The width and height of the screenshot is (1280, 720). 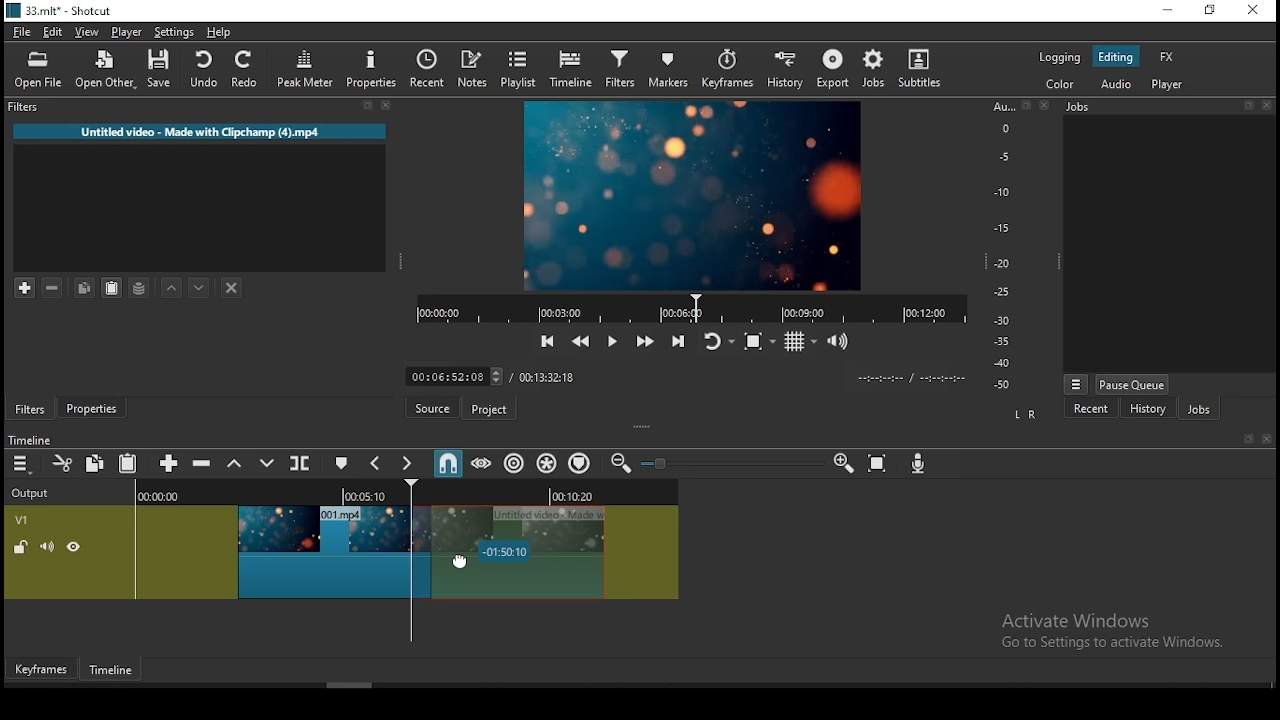 What do you see at coordinates (162, 72) in the screenshot?
I see `save` at bounding box center [162, 72].